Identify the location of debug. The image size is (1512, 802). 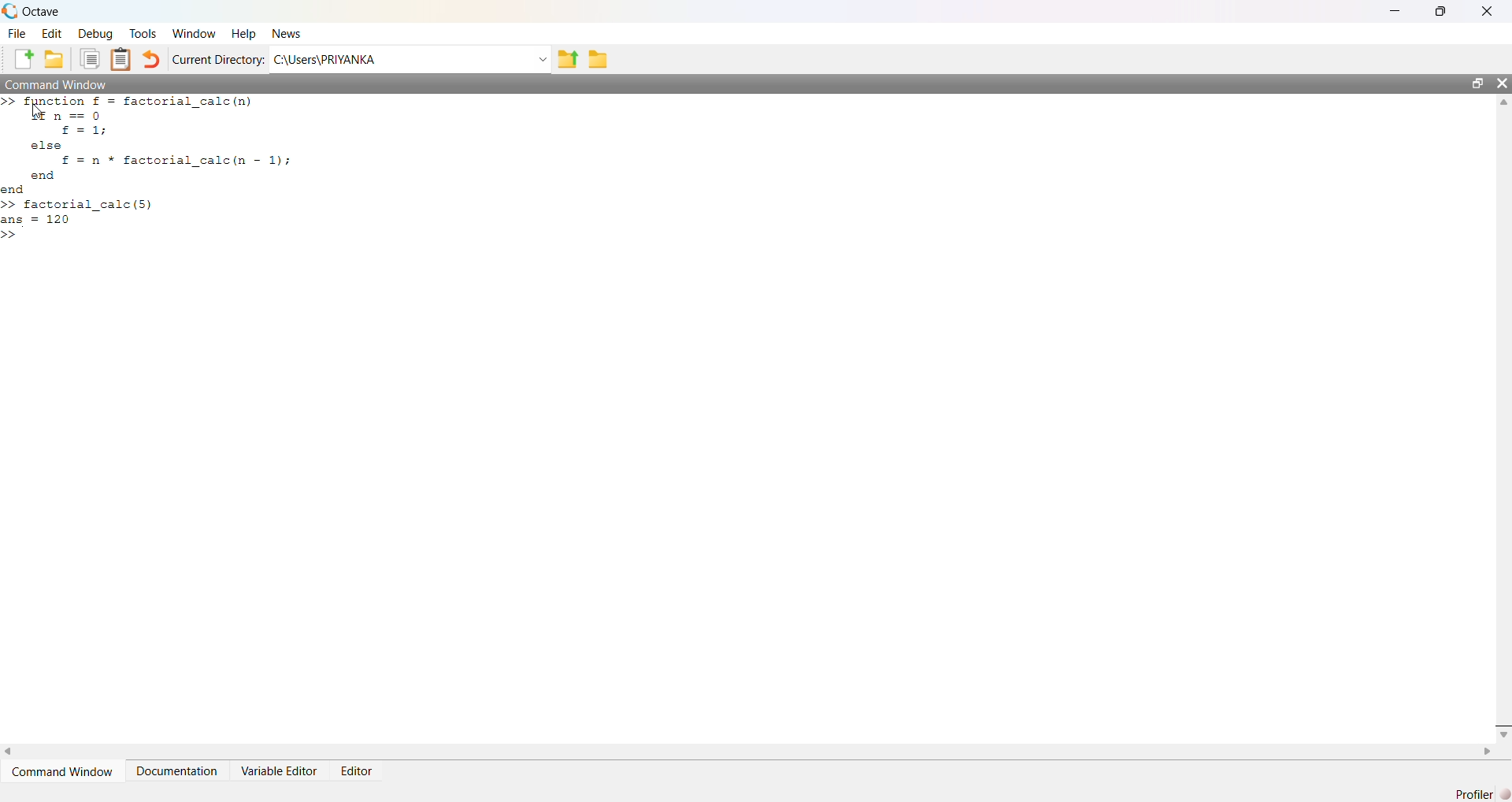
(94, 34).